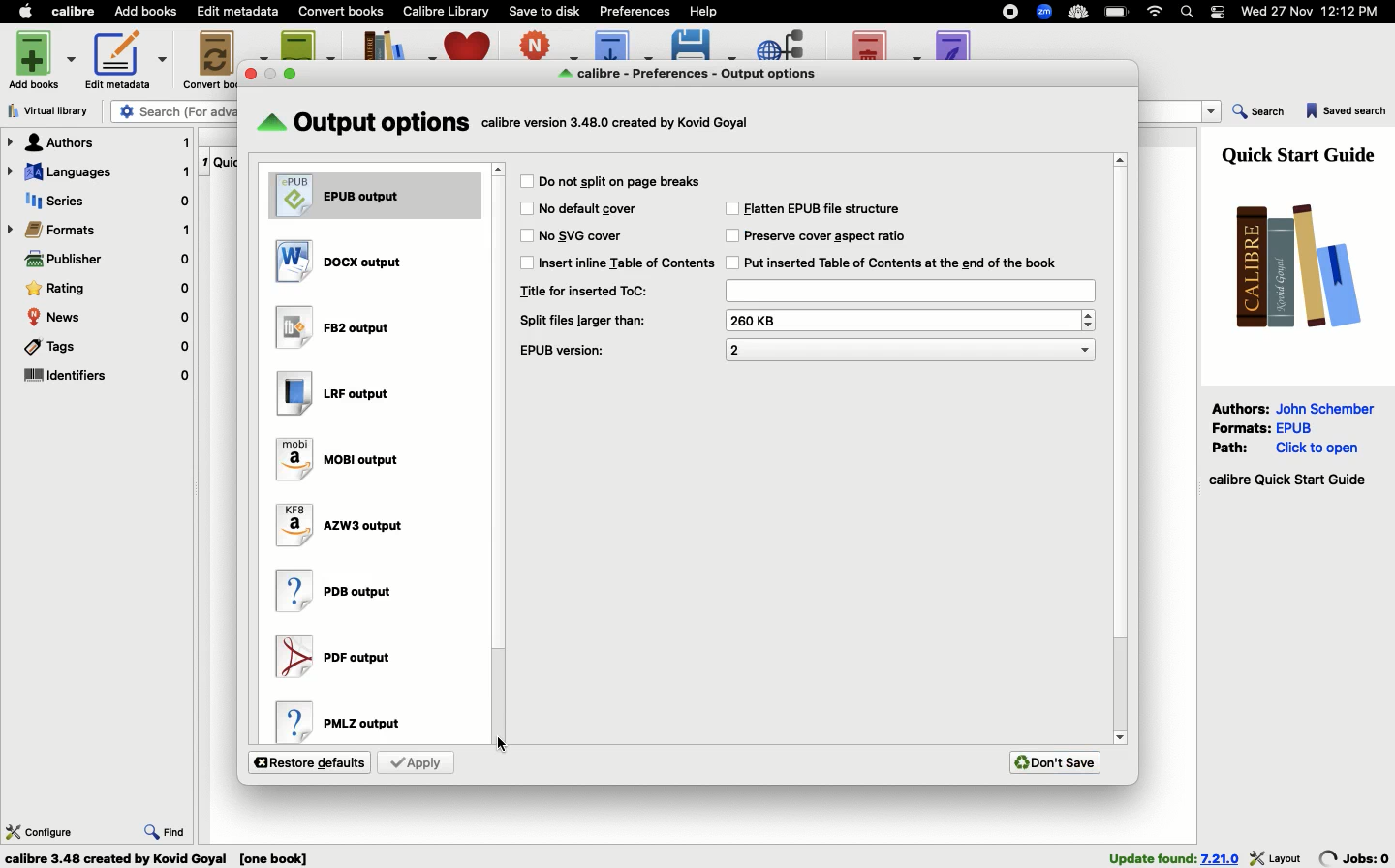 The image size is (1395, 868). I want to click on News, so click(108, 318).